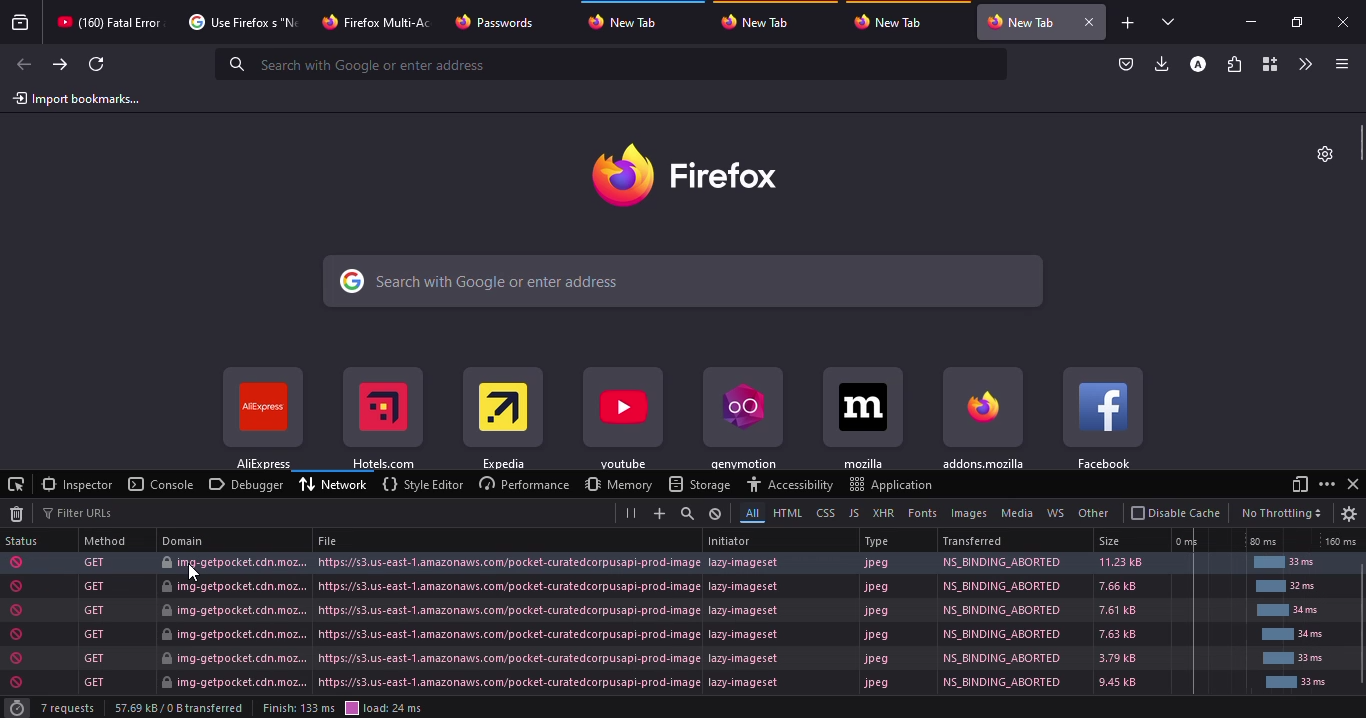  I want to click on 0, so click(1189, 543).